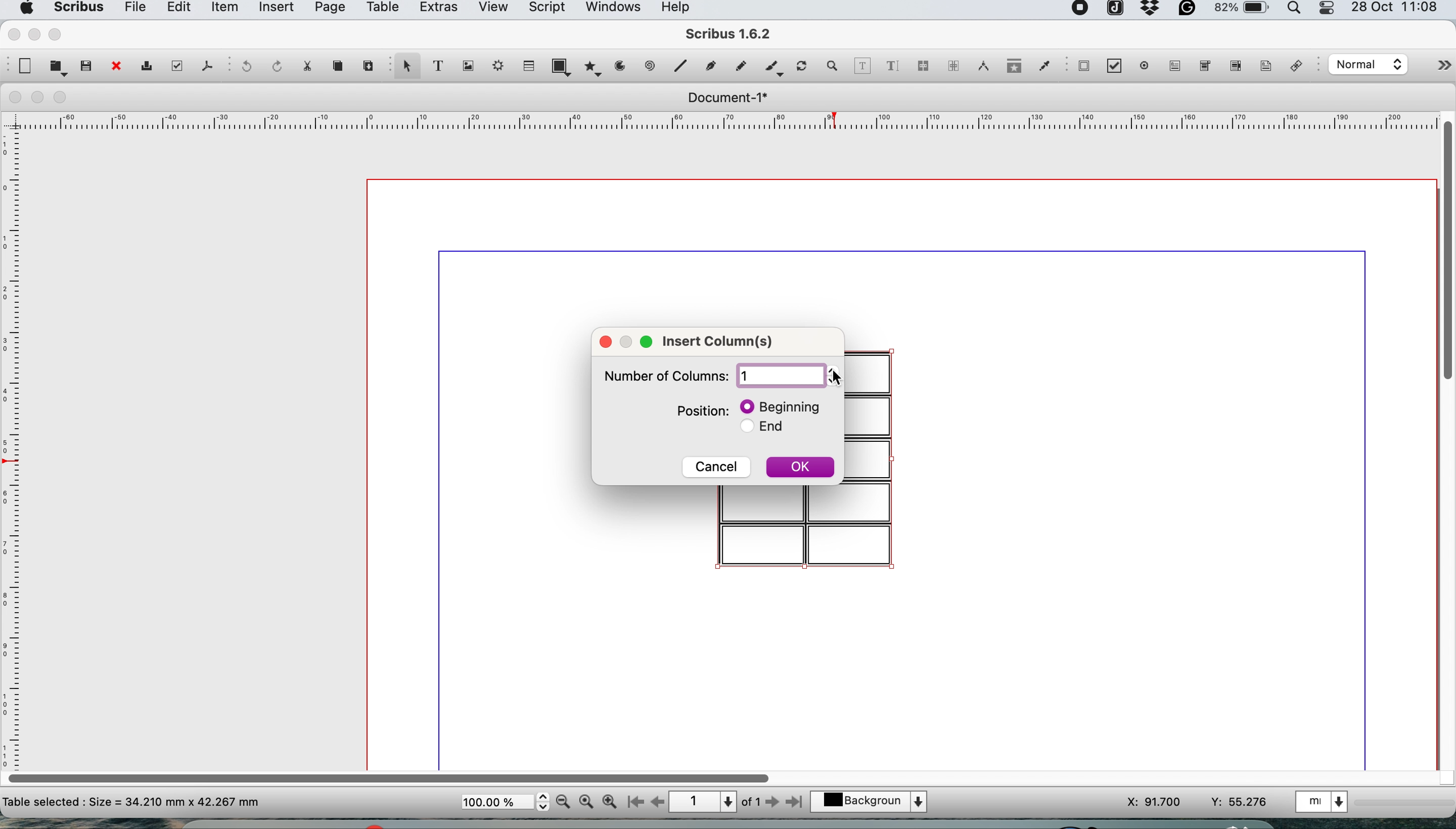 This screenshot has width=1456, height=829. What do you see at coordinates (836, 381) in the screenshot?
I see `cursor` at bounding box center [836, 381].